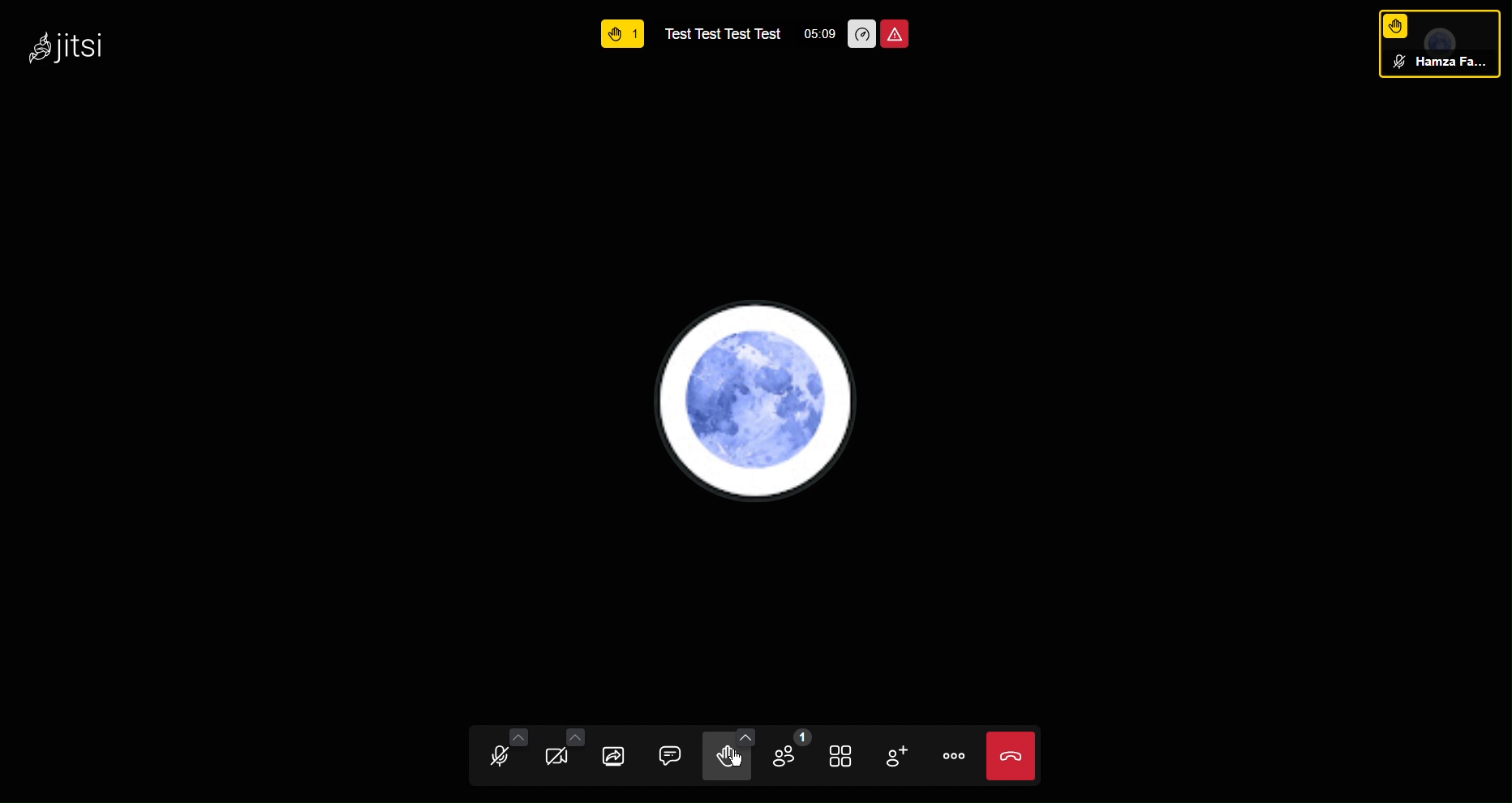  I want to click on Tile View, so click(848, 755).